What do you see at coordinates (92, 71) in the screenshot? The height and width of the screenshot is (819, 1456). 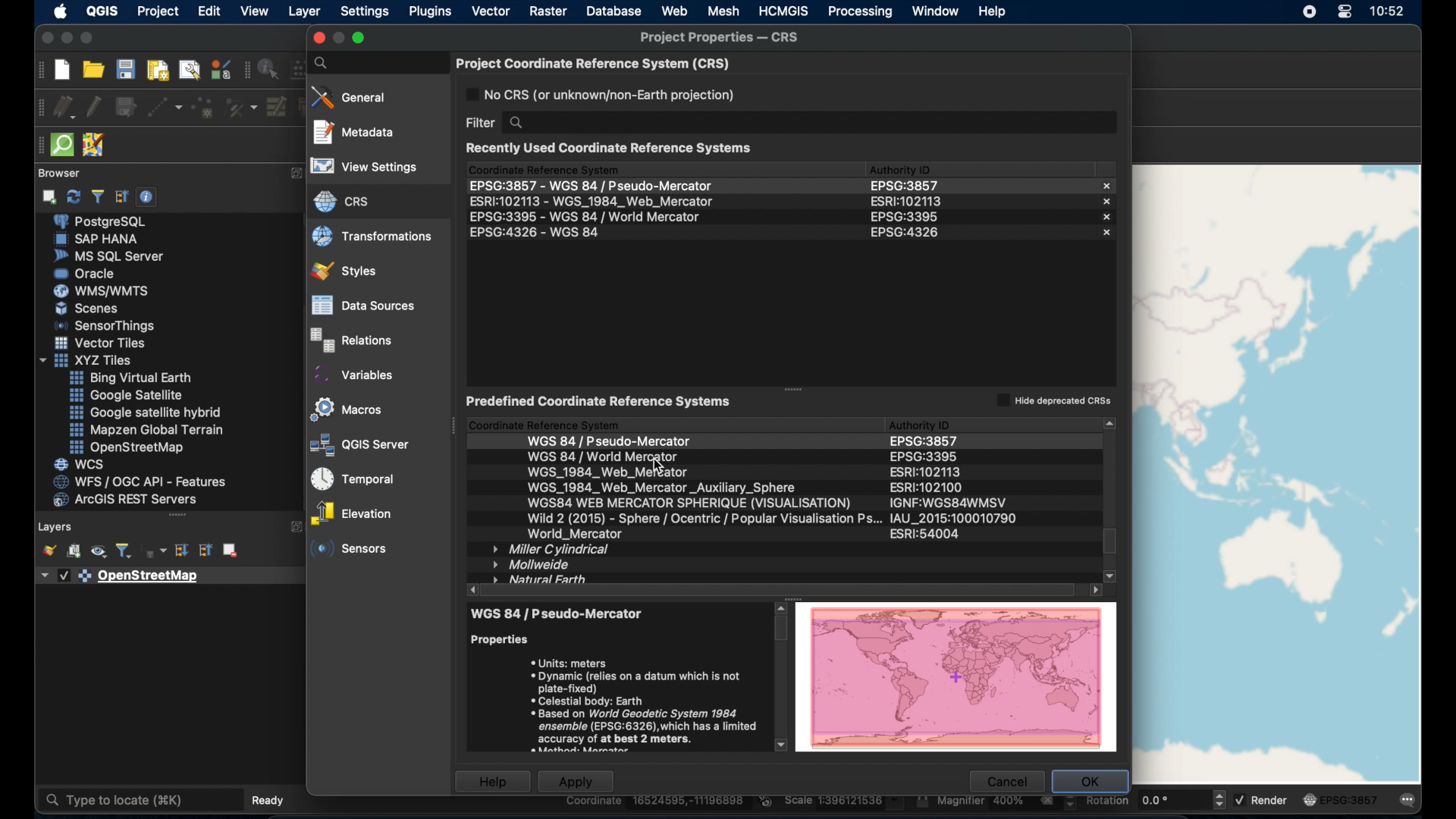 I see `open project` at bounding box center [92, 71].